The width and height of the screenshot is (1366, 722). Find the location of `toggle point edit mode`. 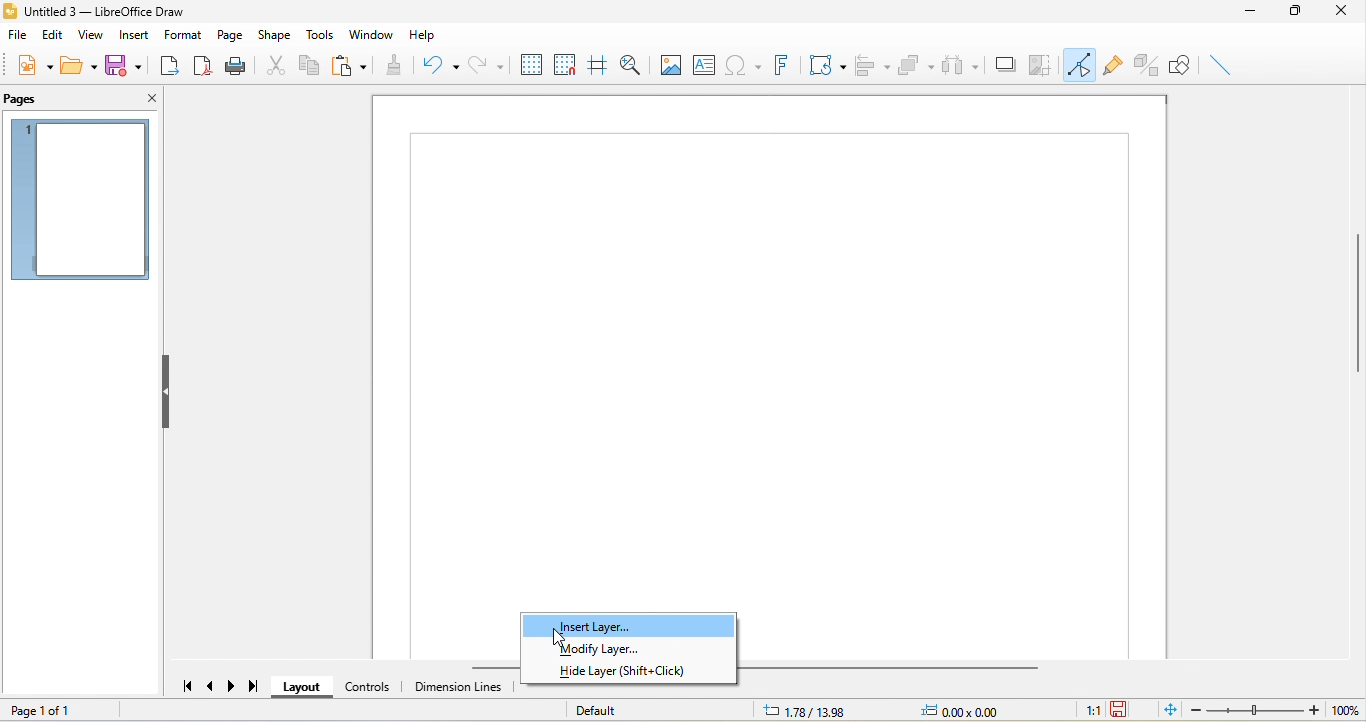

toggle point edit mode is located at coordinates (1081, 64).